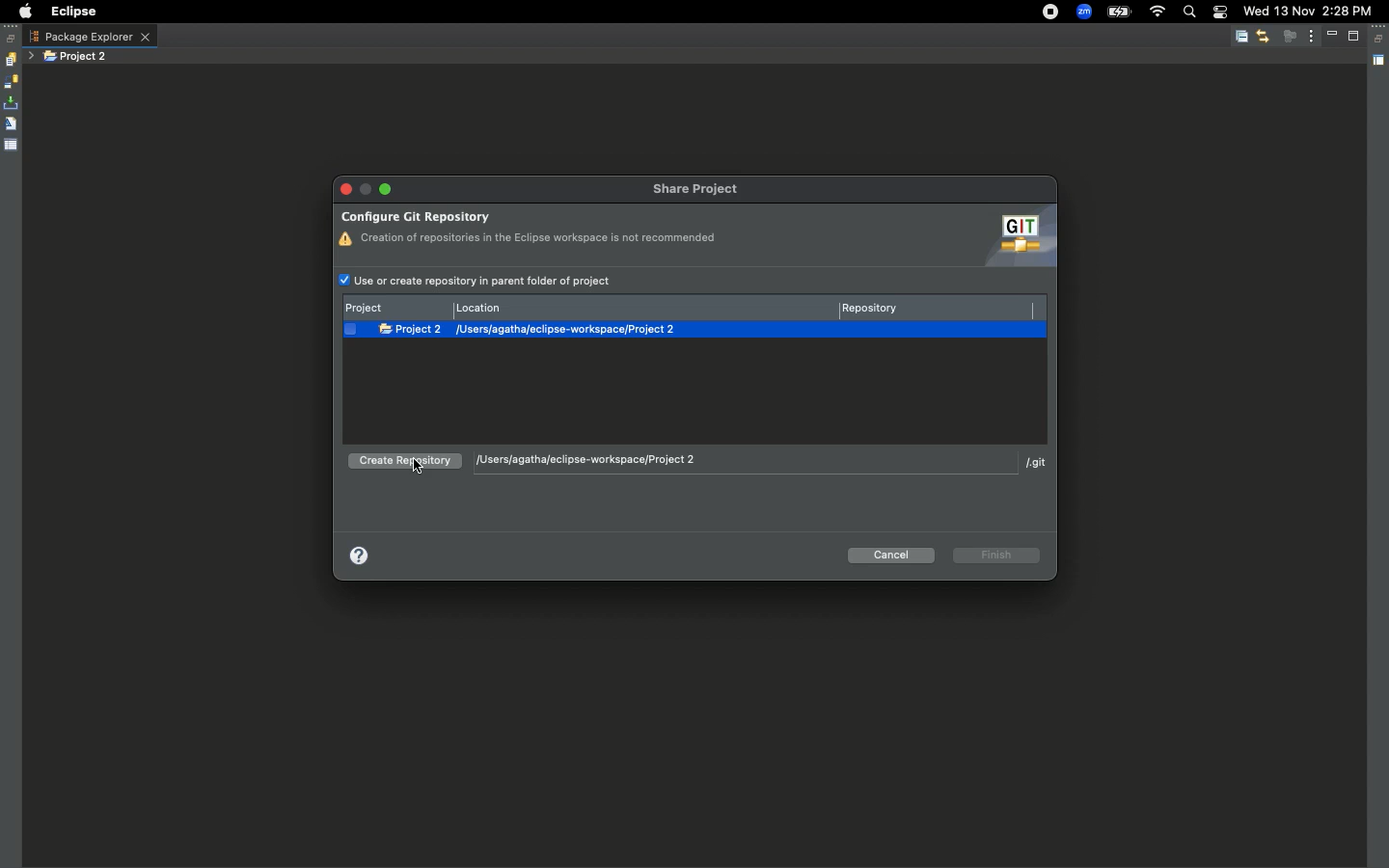 This screenshot has width=1389, height=868. Describe the element at coordinates (13, 103) in the screenshot. I see `Git staging ` at that location.